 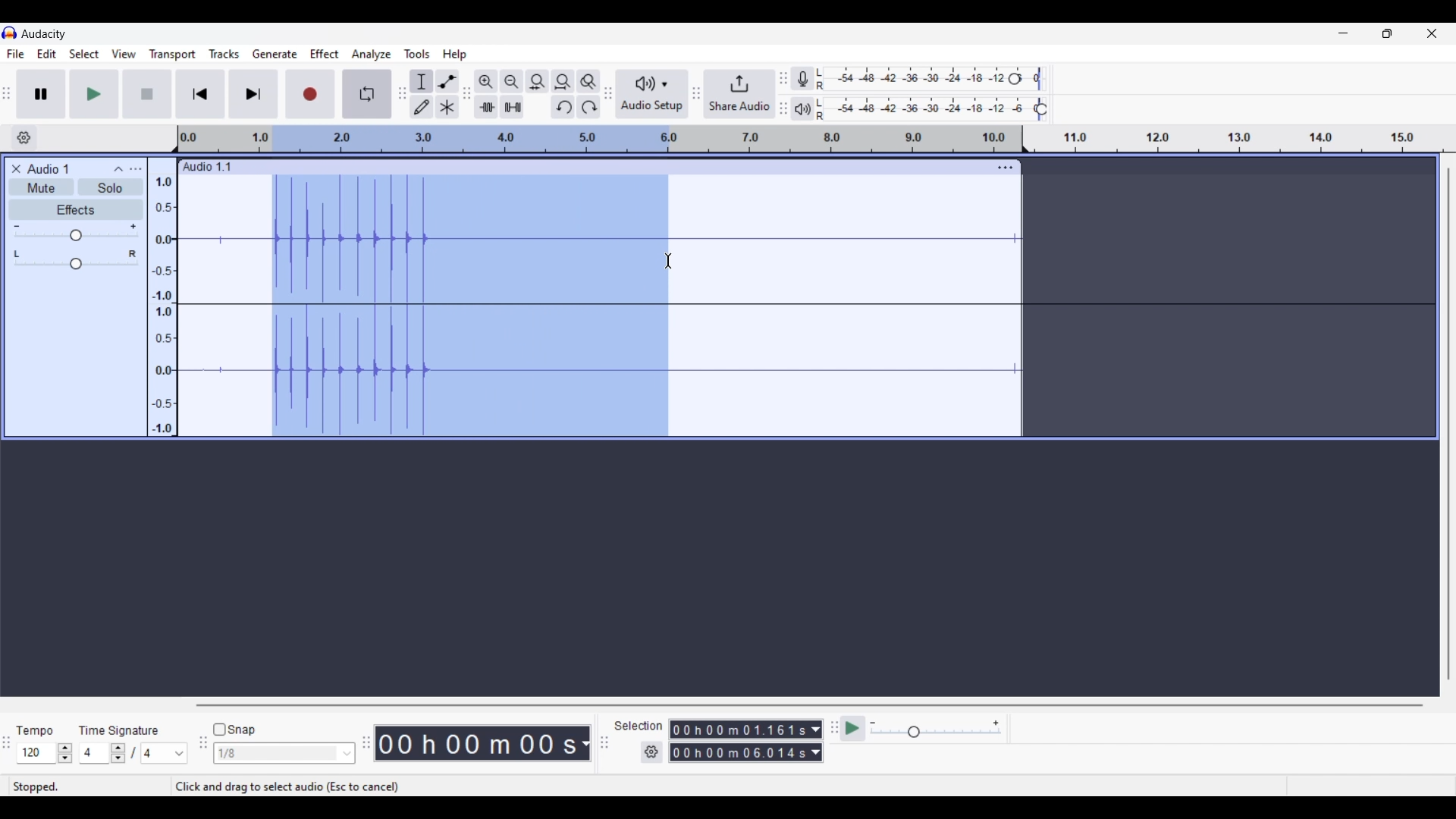 I want to click on Track header, so click(x=1025, y=140).